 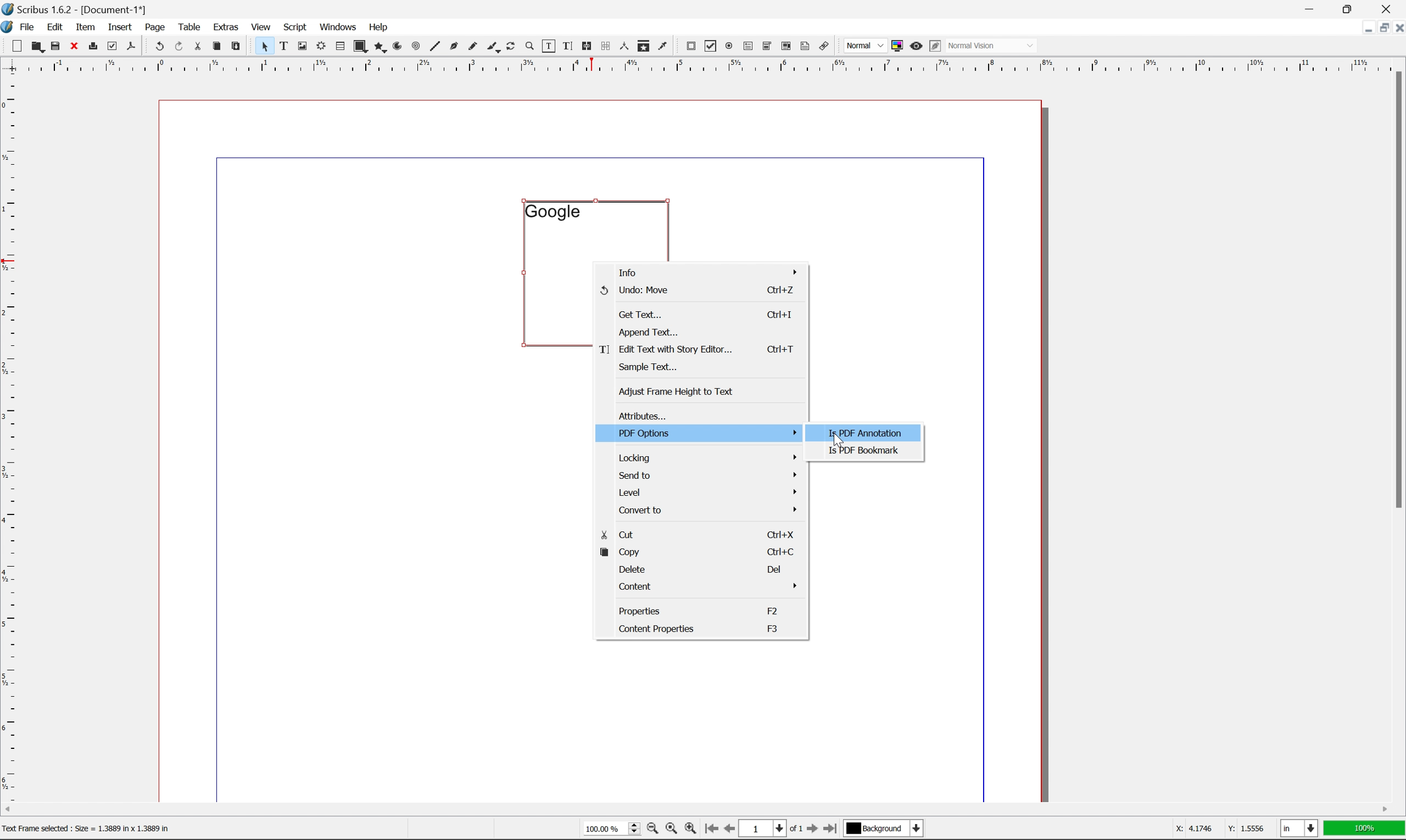 What do you see at coordinates (779, 289) in the screenshot?
I see `ctrl+z` at bounding box center [779, 289].